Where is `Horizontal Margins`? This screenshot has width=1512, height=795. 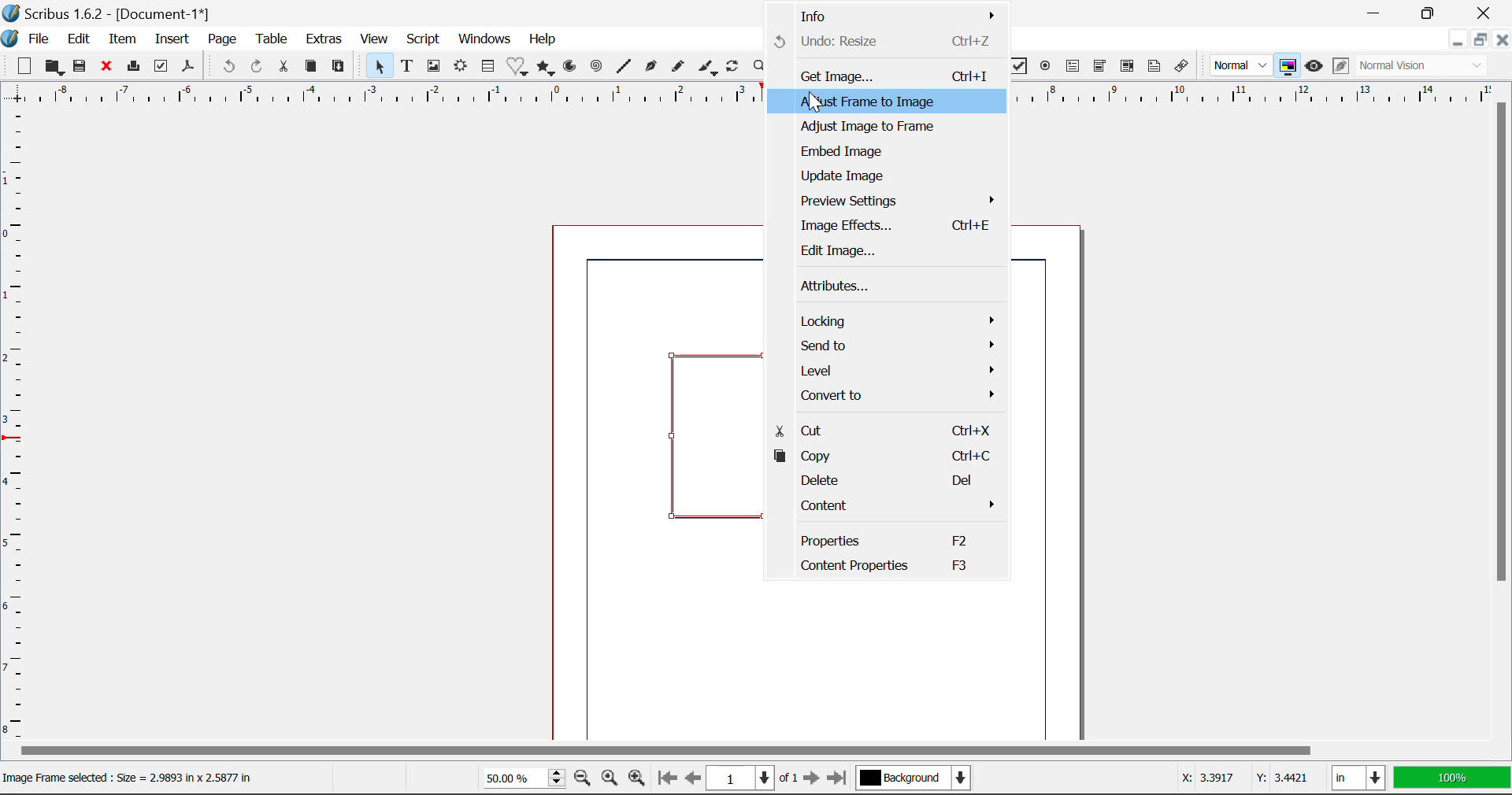 Horizontal Margins is located at coordinates (14, 427).